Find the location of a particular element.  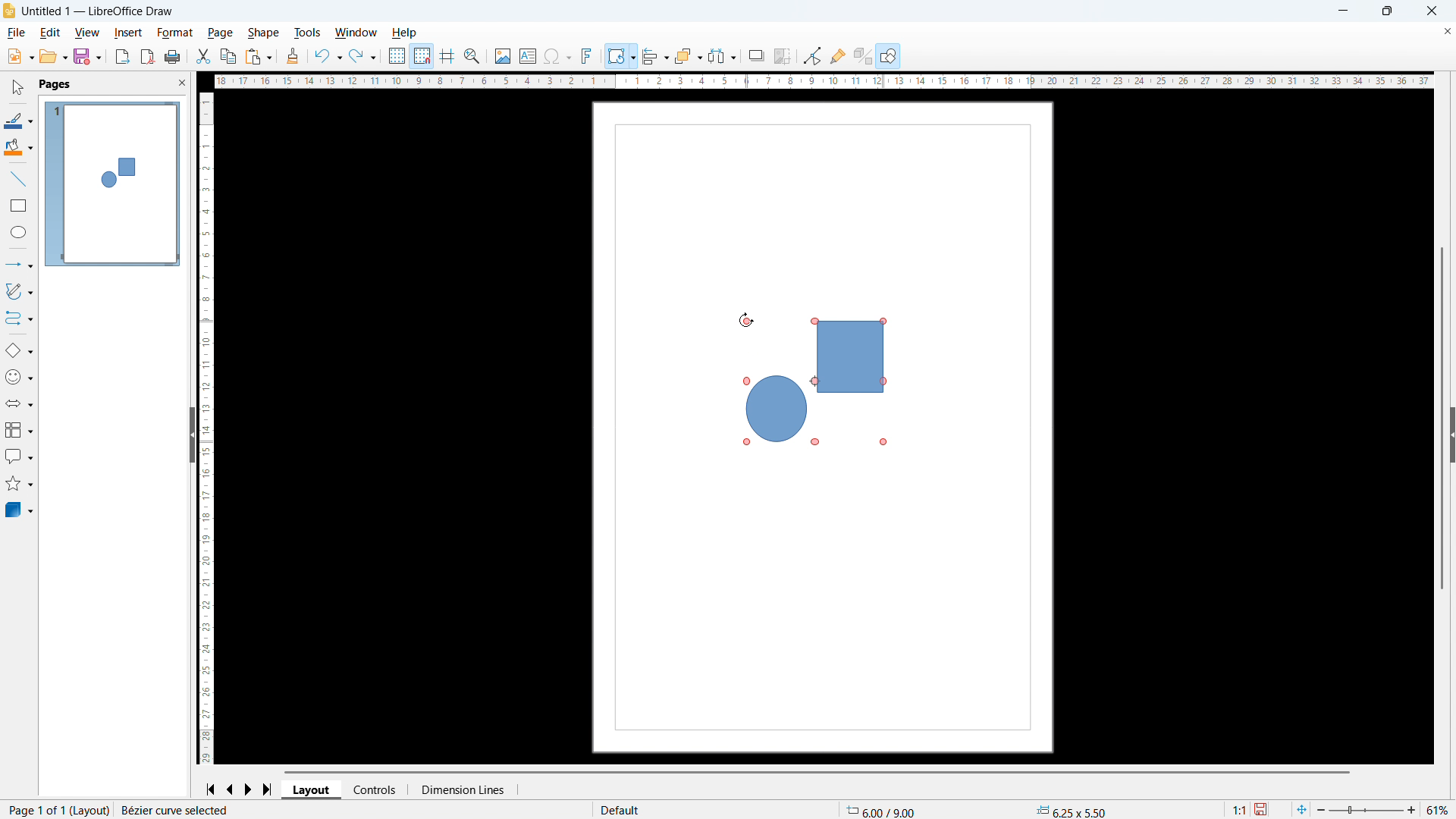

Insert  is located at coordinates (129, 33).